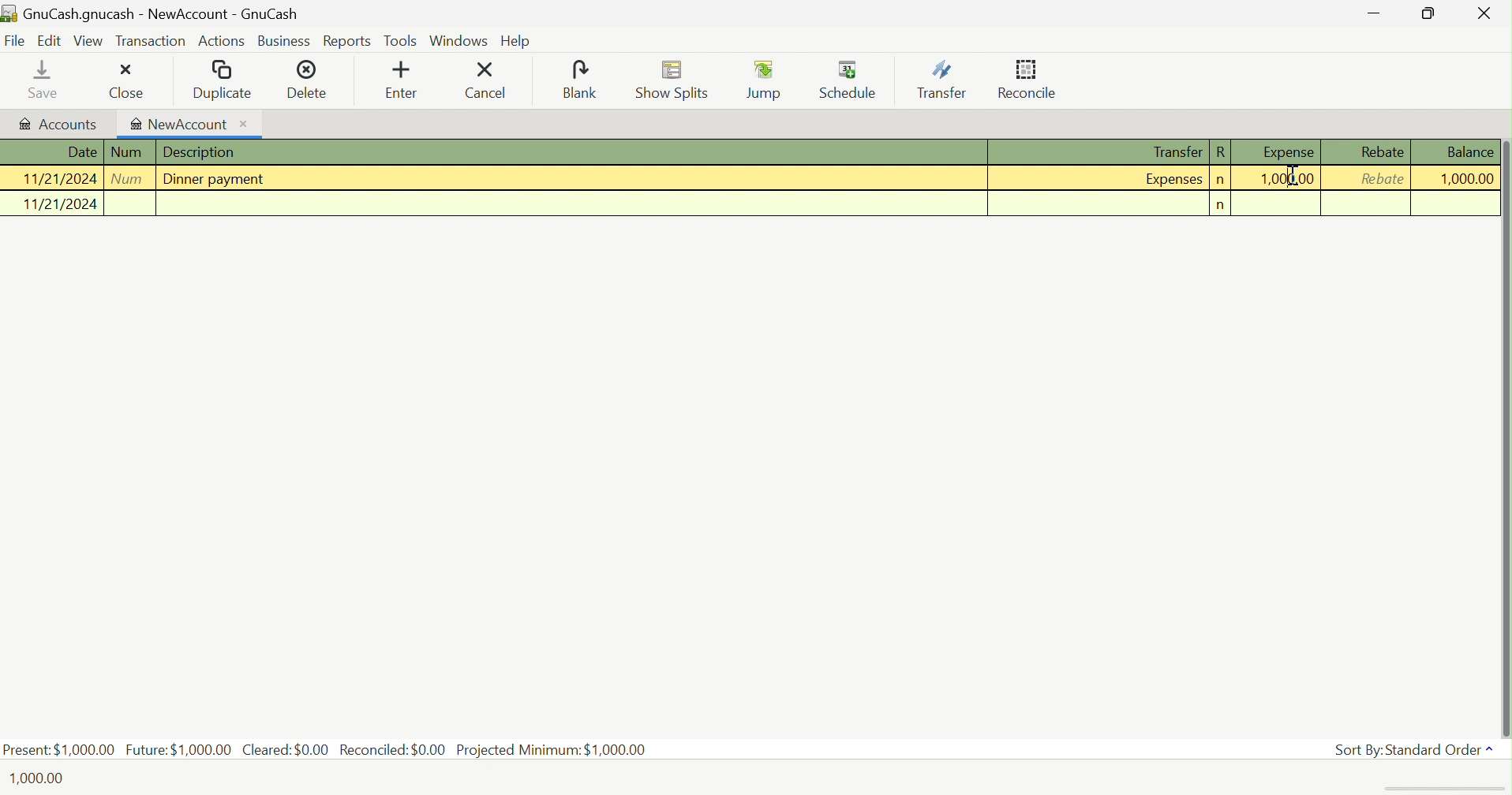 Image resolution: width=1512 pixels, height=795 pixels. Describe the element at coordinates (347, 42) in the screenshot. I see `Reports` at that location.